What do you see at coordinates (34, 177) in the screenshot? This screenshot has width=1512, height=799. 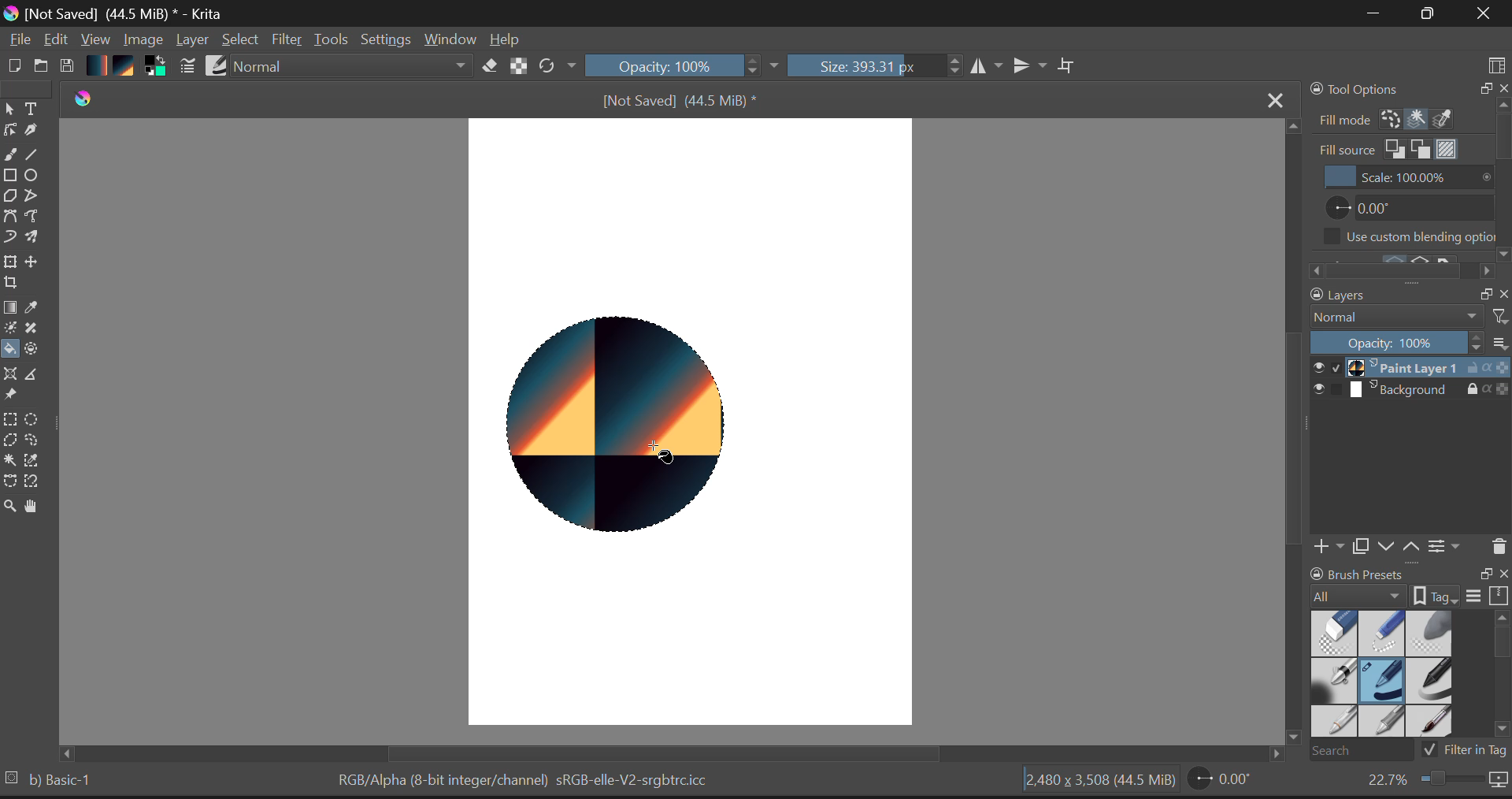 I see `Elipses` at bounding box center [34, 177].